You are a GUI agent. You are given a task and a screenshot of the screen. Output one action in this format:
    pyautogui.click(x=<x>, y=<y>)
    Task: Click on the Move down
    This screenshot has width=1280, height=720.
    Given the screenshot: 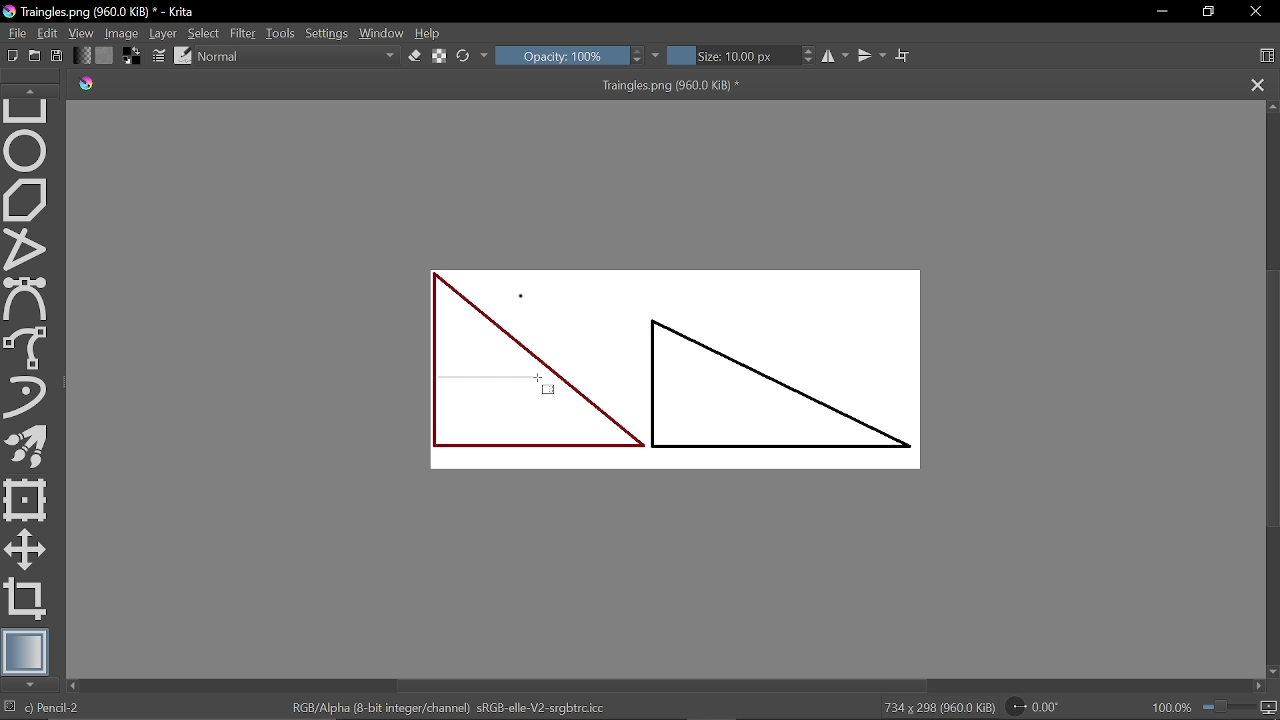 What is the action you would take?
    pyautogui.click(x=1271, y=669)
    